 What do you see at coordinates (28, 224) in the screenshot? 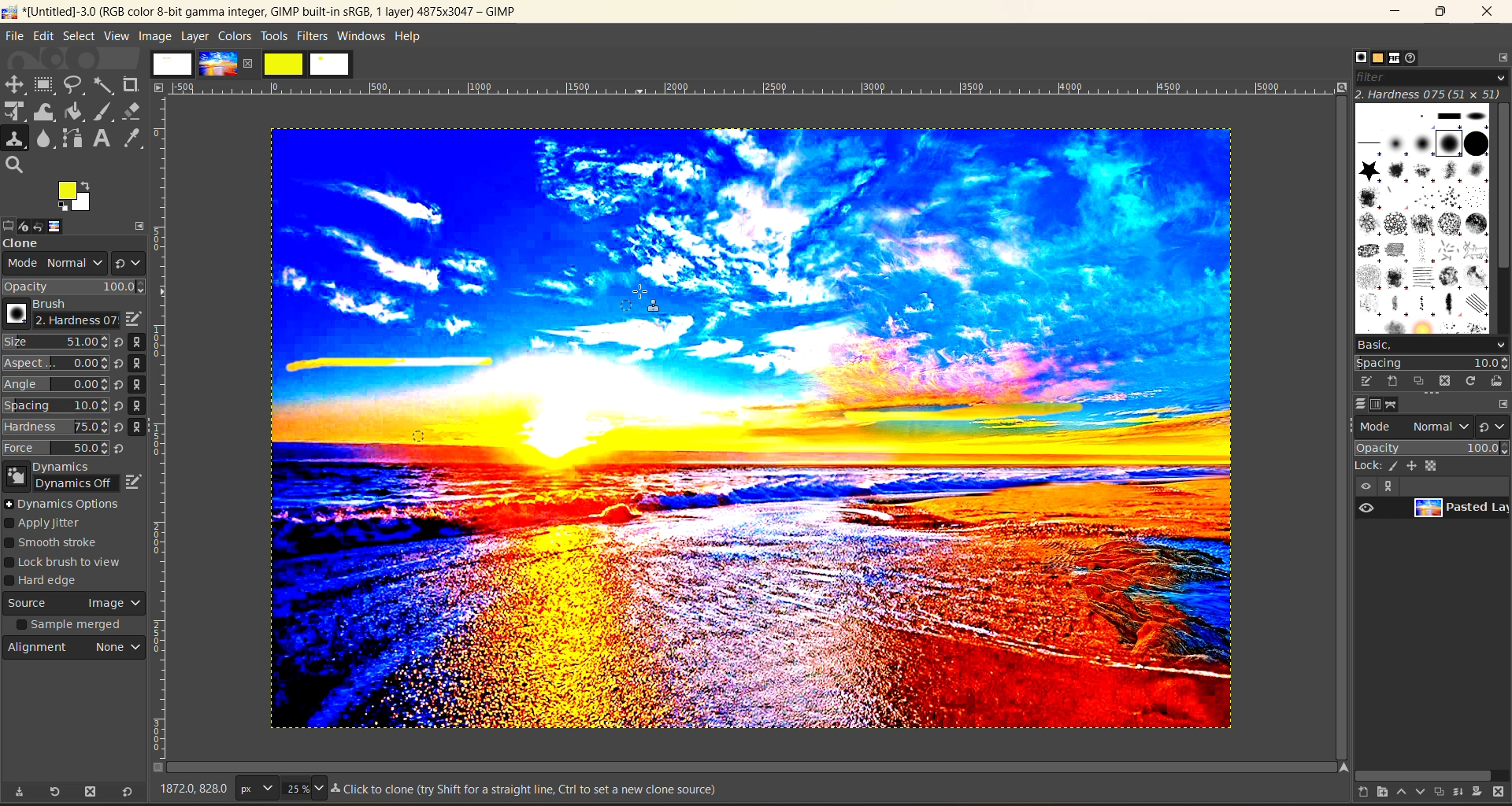
I see `device status` at bounding box center [28, 224].